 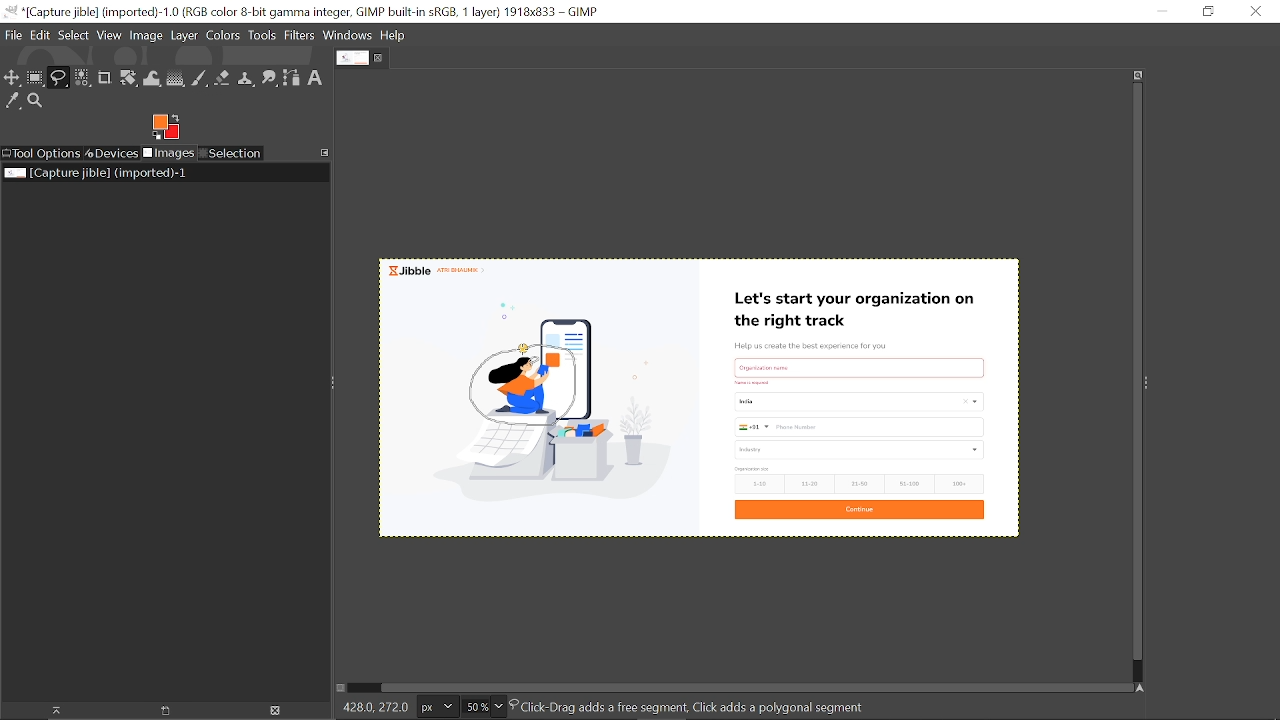 What do you see at coordinates (166, 127) in the screenshot?
I see `Foreground color` at bounding box center [166, 127].